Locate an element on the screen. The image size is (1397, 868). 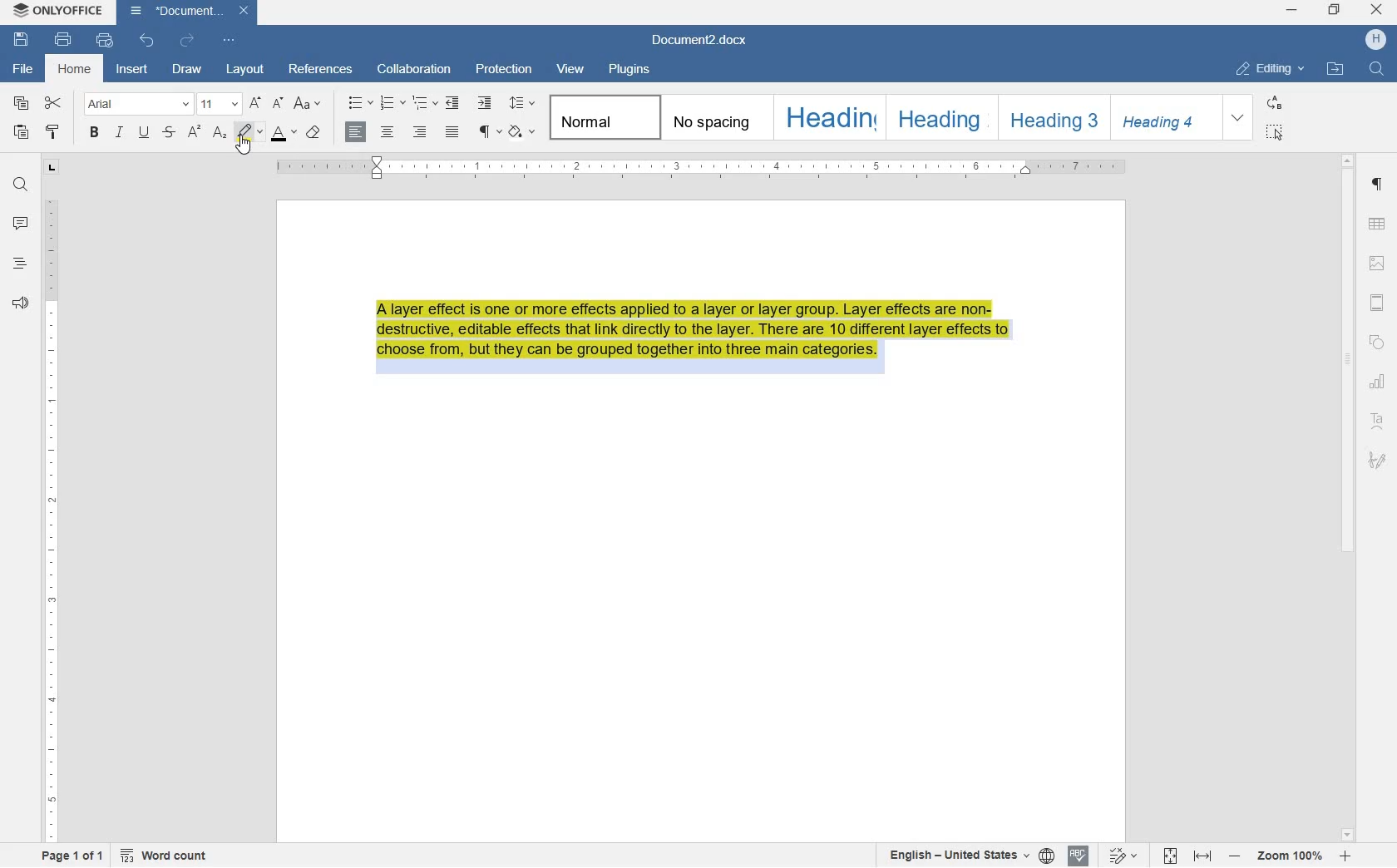
JUSTIFIED is located at coordinates (452, 132).